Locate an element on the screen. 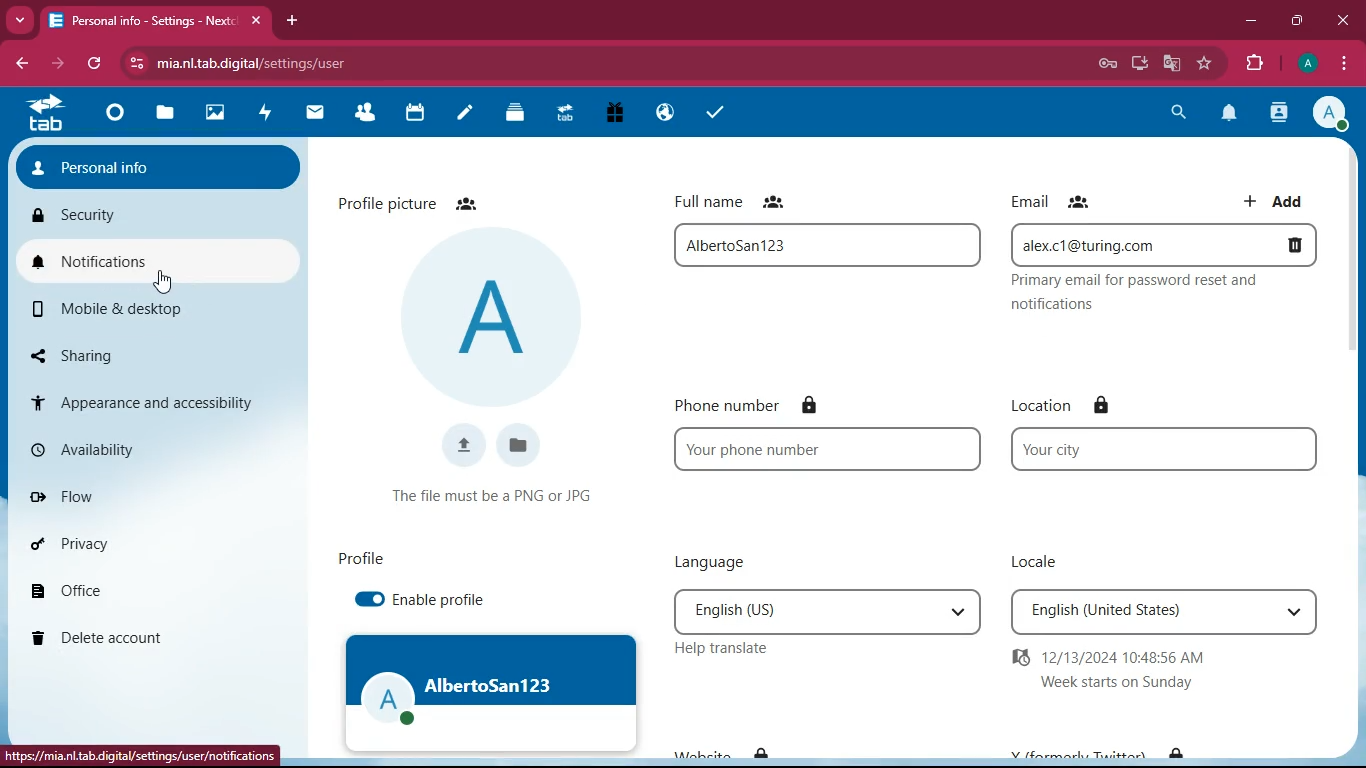 This screenshot has height=768, width=1366. your city is located at coordinates (1163, 448).